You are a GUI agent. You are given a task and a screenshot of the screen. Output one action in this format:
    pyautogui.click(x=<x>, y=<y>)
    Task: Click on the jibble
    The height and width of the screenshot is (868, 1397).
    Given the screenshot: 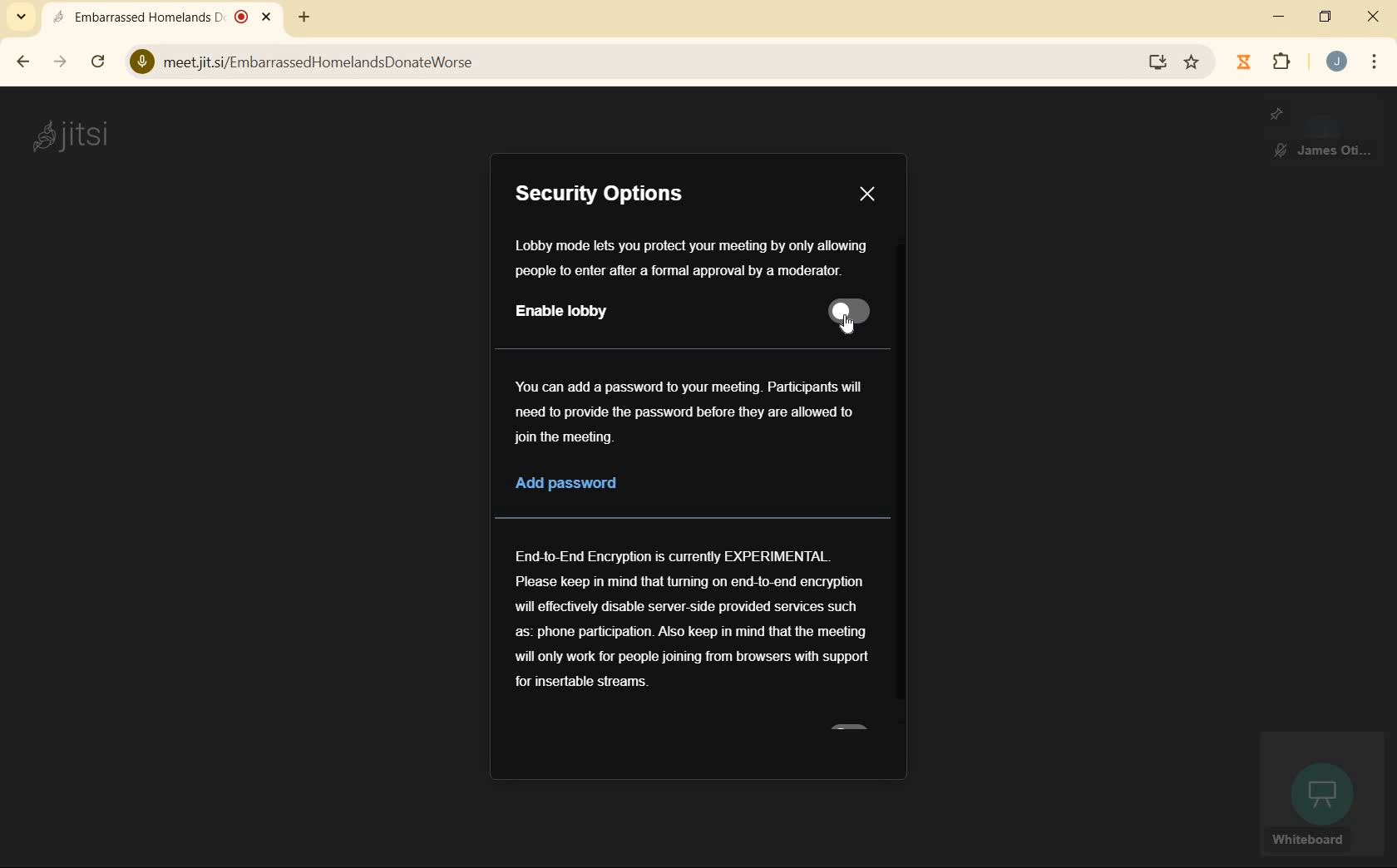 What is the action you would take?
    pyautogui.click(x=1247, y=62)
    